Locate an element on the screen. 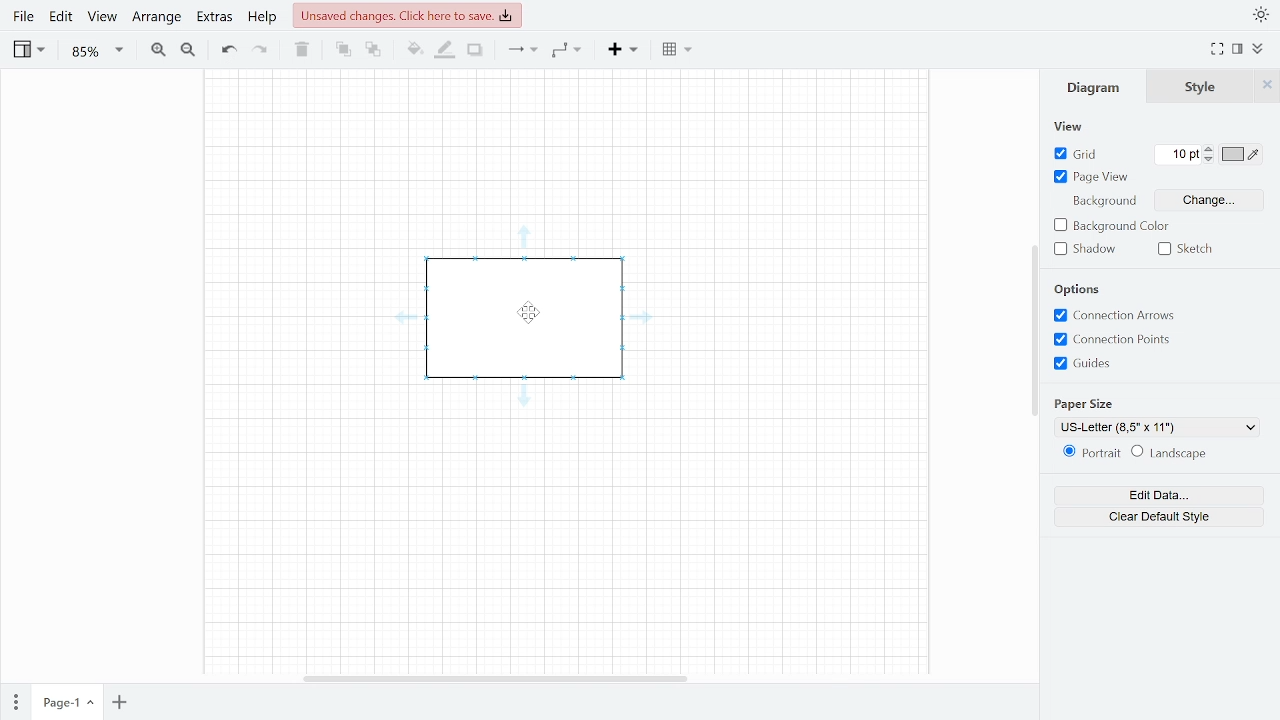  Appearence is located at coordinates (1262, 13).